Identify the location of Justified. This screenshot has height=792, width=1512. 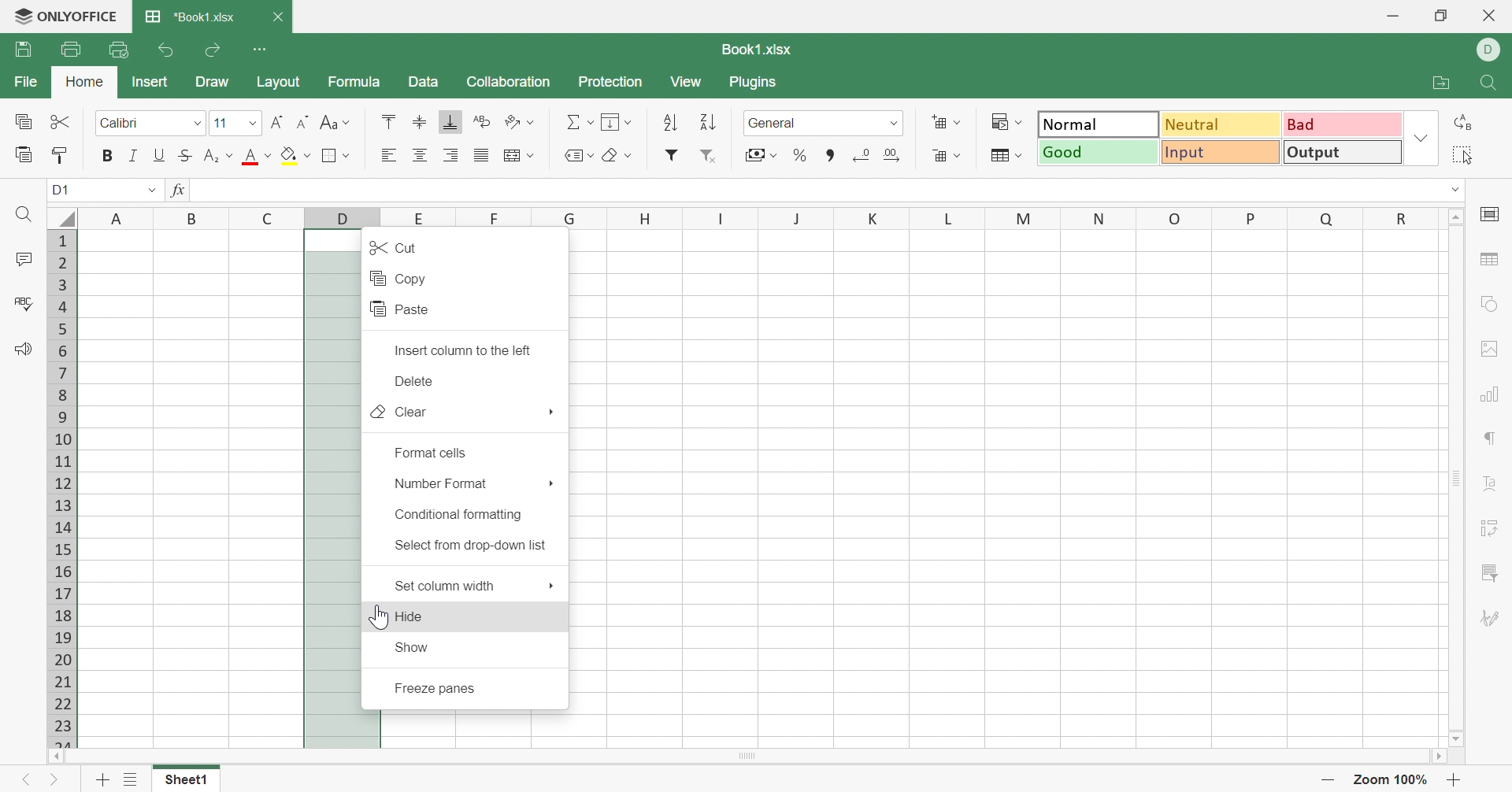
(480, 155).